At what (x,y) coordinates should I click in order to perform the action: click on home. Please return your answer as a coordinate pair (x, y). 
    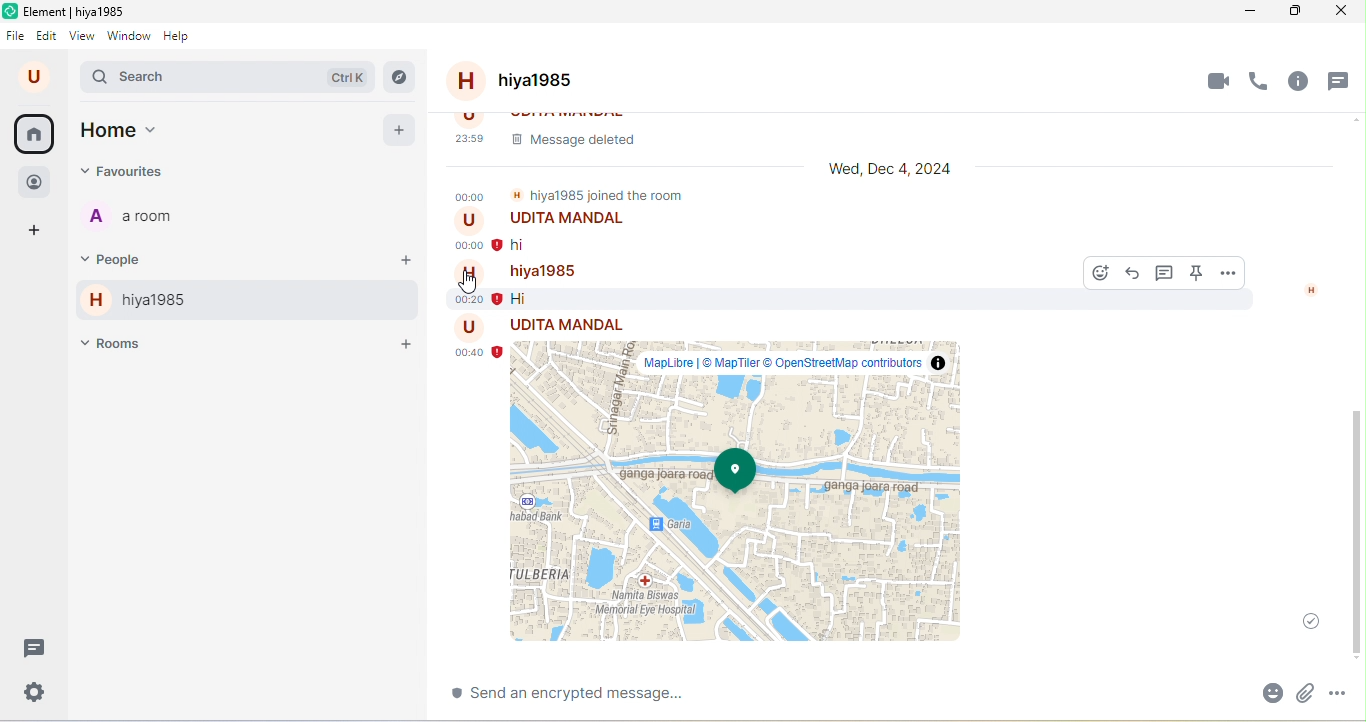
    Looking at the image, I should click on (123, 131).